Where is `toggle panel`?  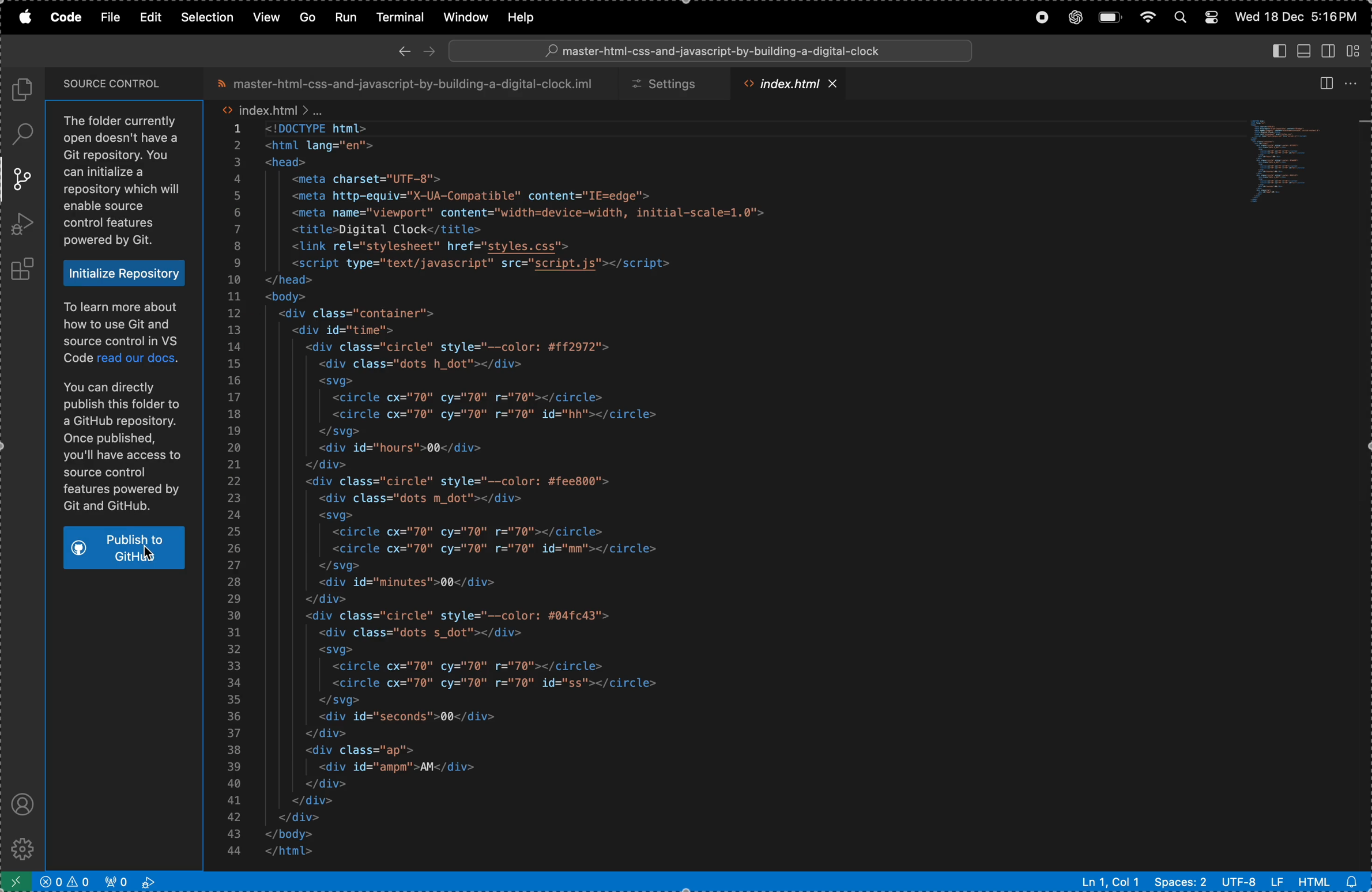
toggle panel is located at coordinates (1303, 50).